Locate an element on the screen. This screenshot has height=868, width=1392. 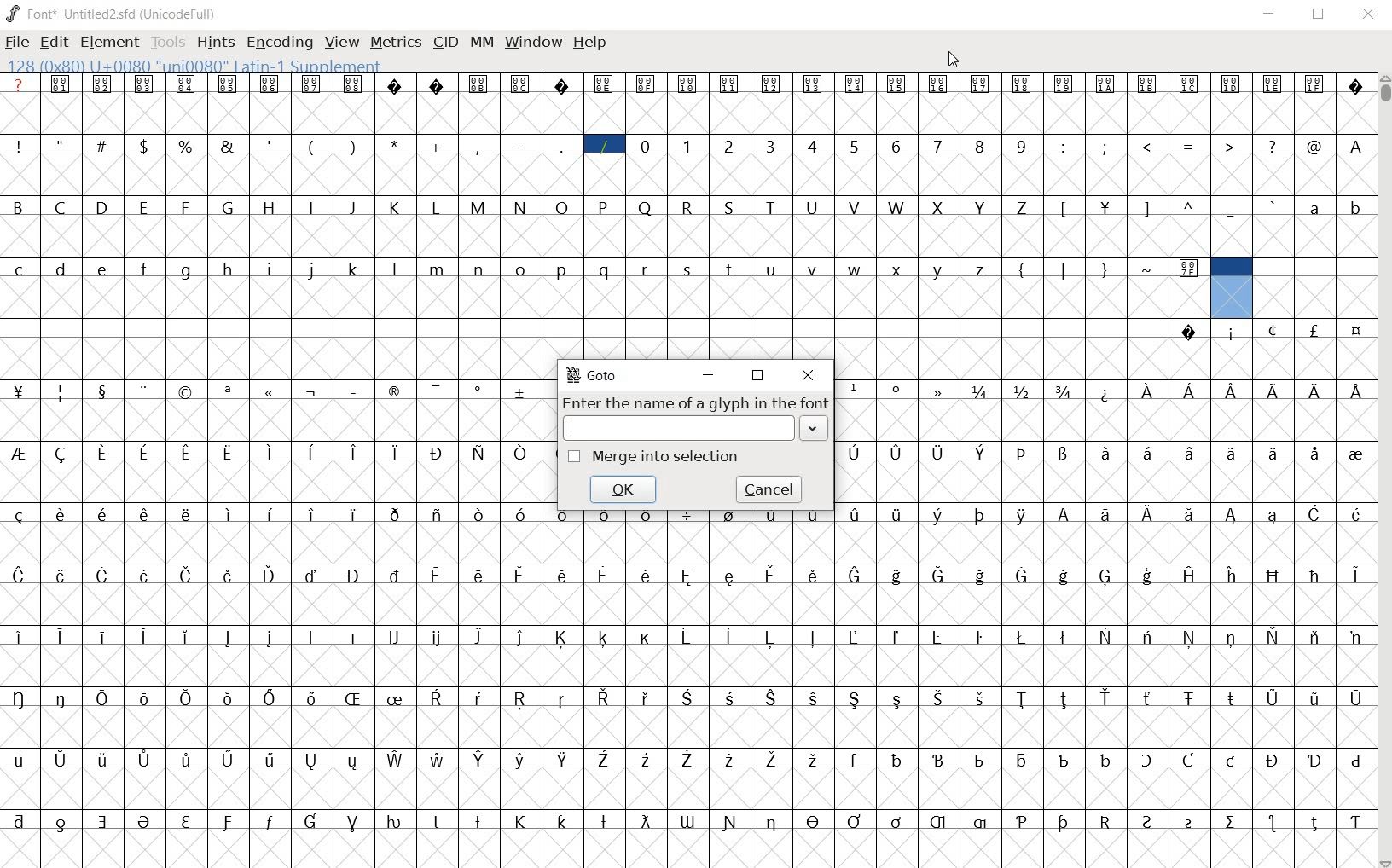
empty spaces is located at coordinates (585, 327).